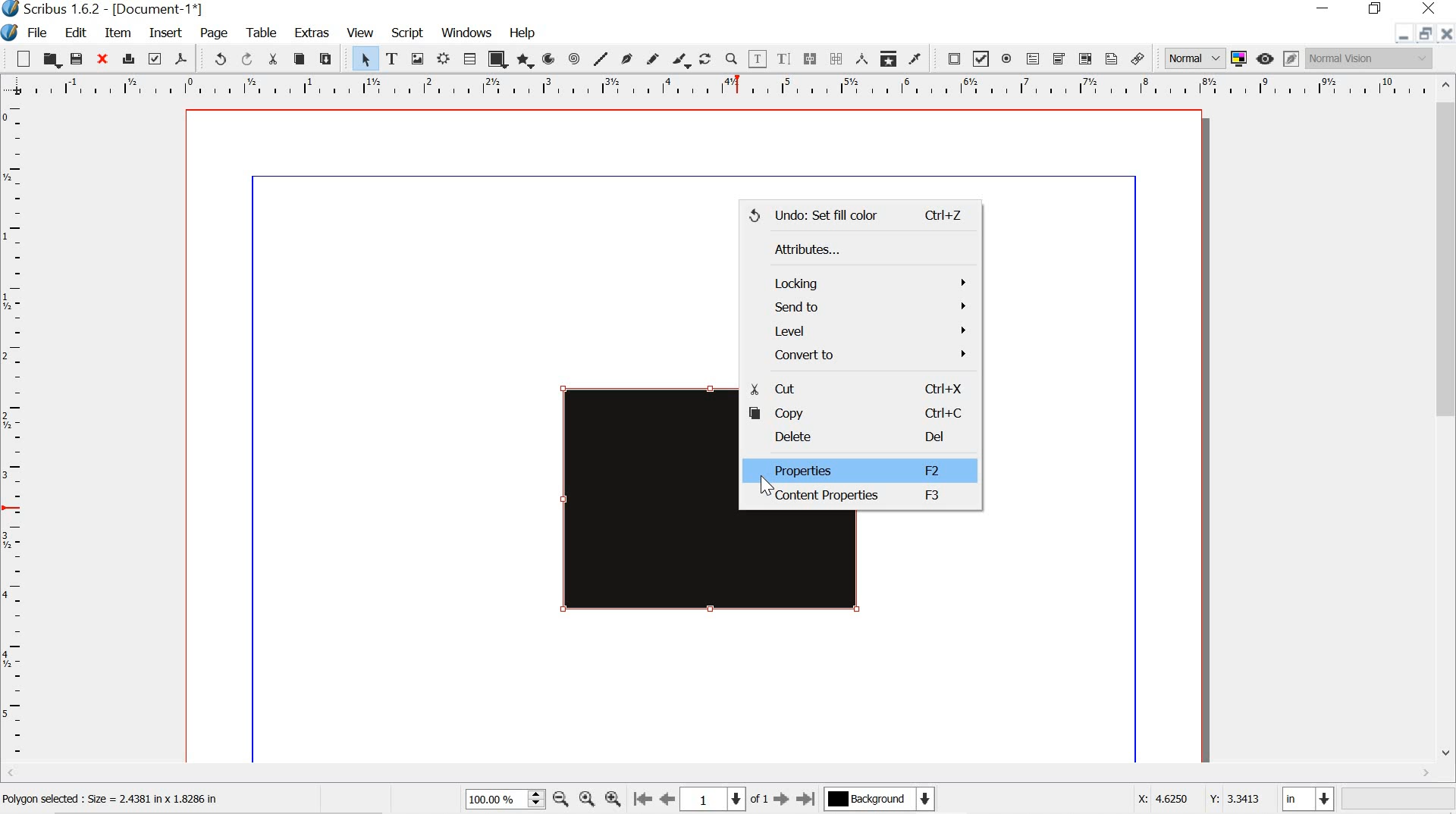  What do you see at coordinates (1447, 33) in the screenshot?
I see `close doc` at bounding box center [1447, 33].